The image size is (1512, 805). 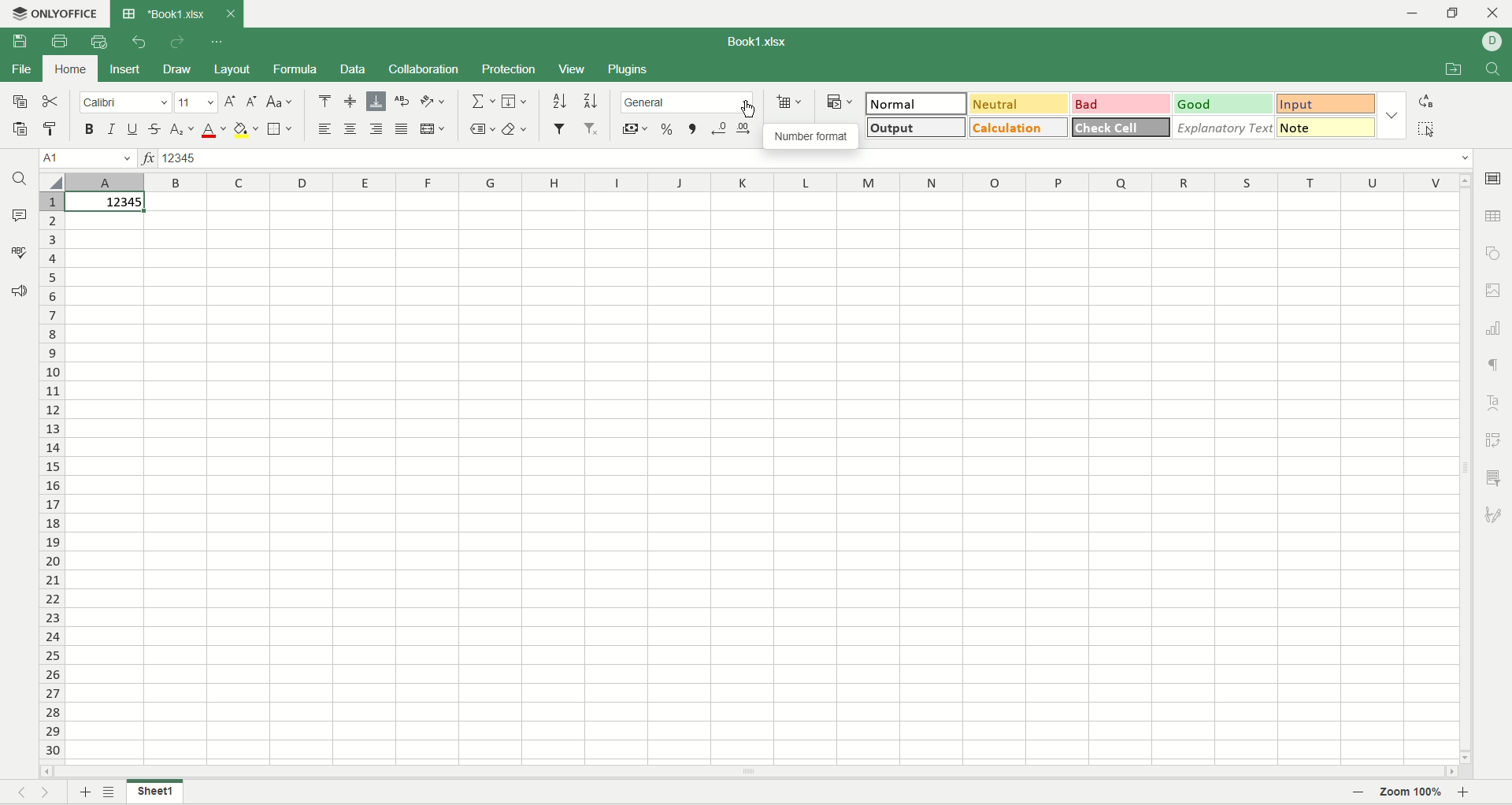 I want to click on currency style, so click(x=636, y=132).